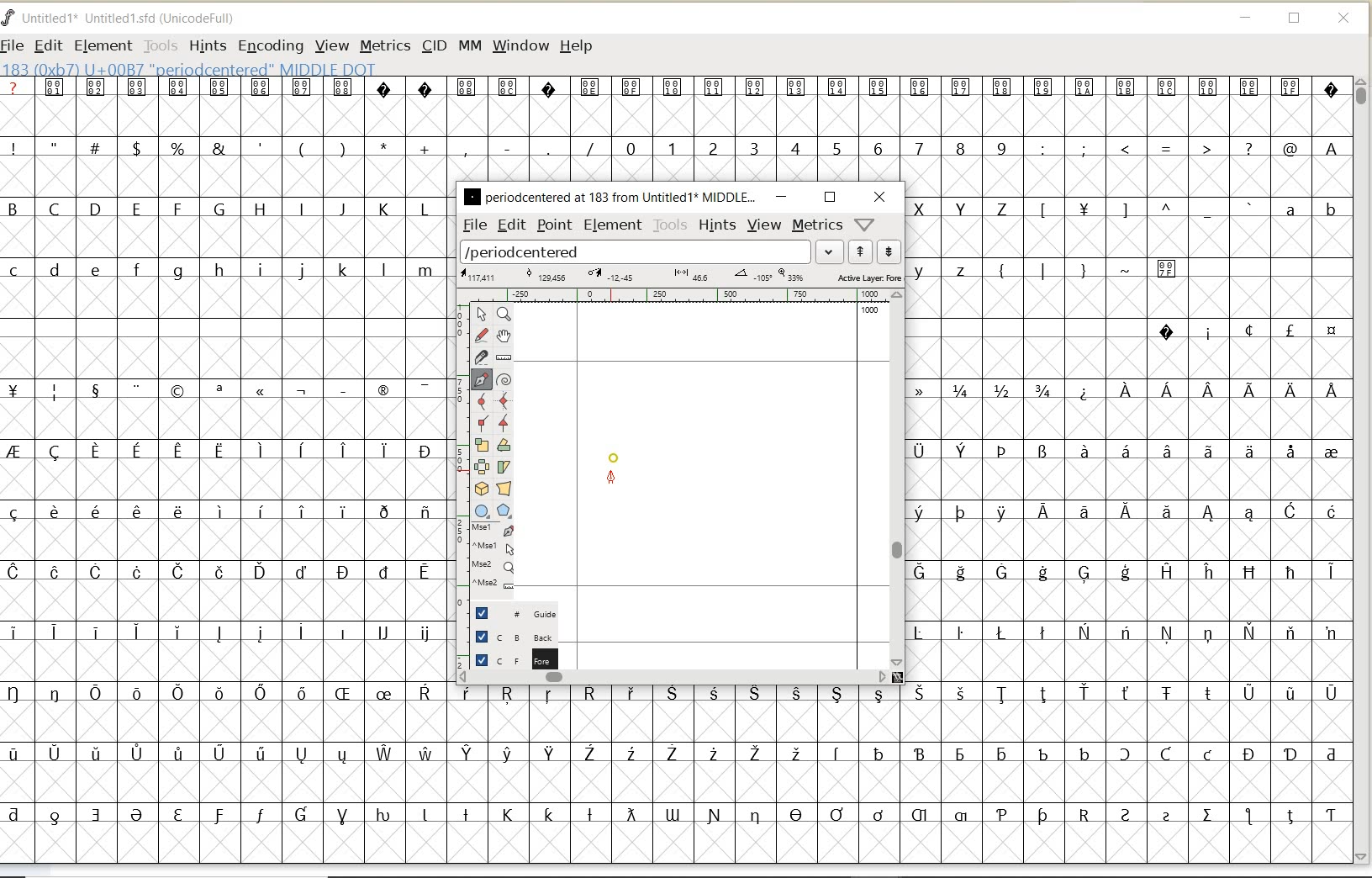 This screenshot has height=878, width=1372. Describe the element at coordinates (503, 336) in the screenshot. I see `scroll by hand` at that location.